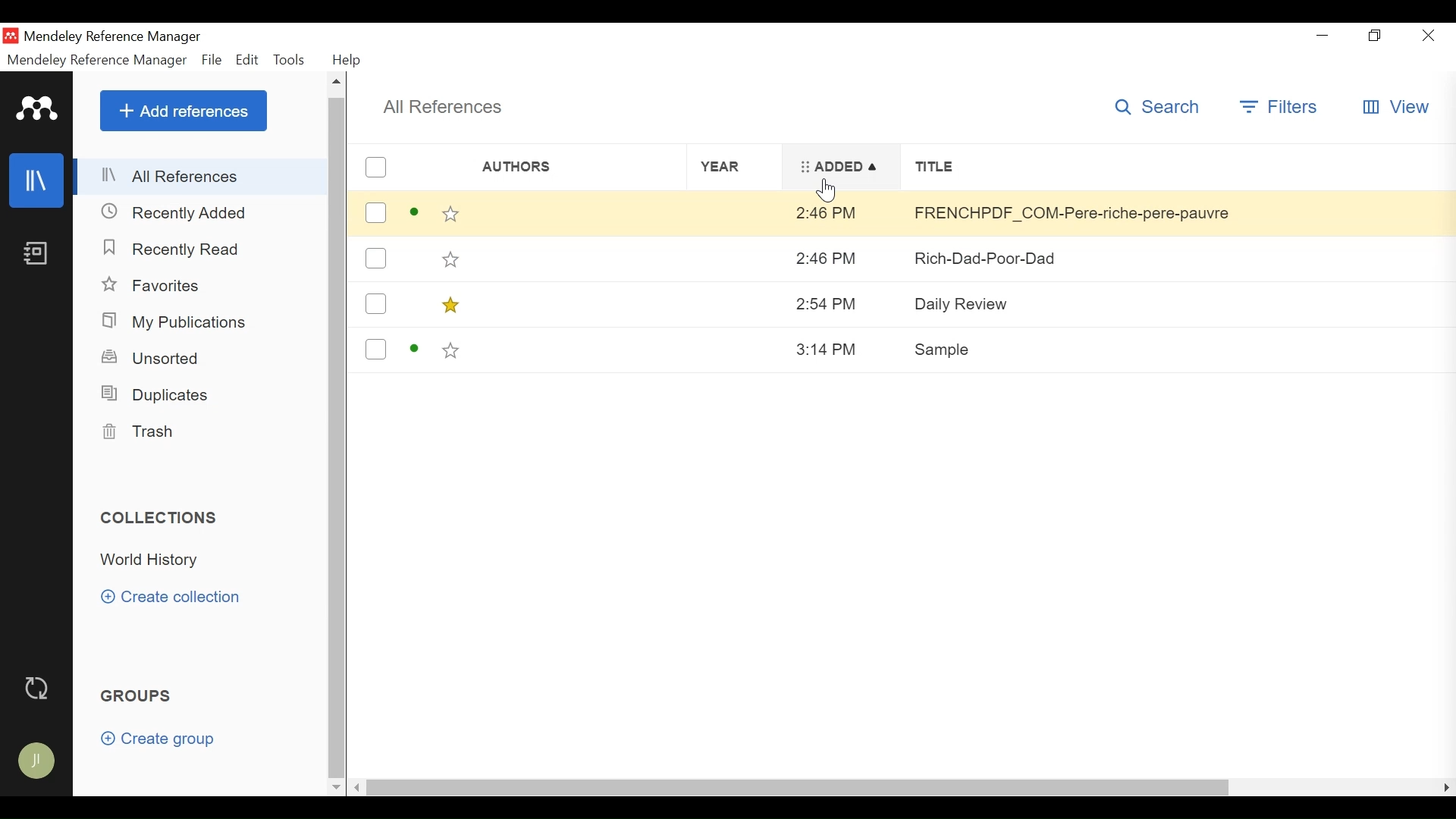 This screenshot has height=819, width=1456. I want to click on active, so click(415, 350).